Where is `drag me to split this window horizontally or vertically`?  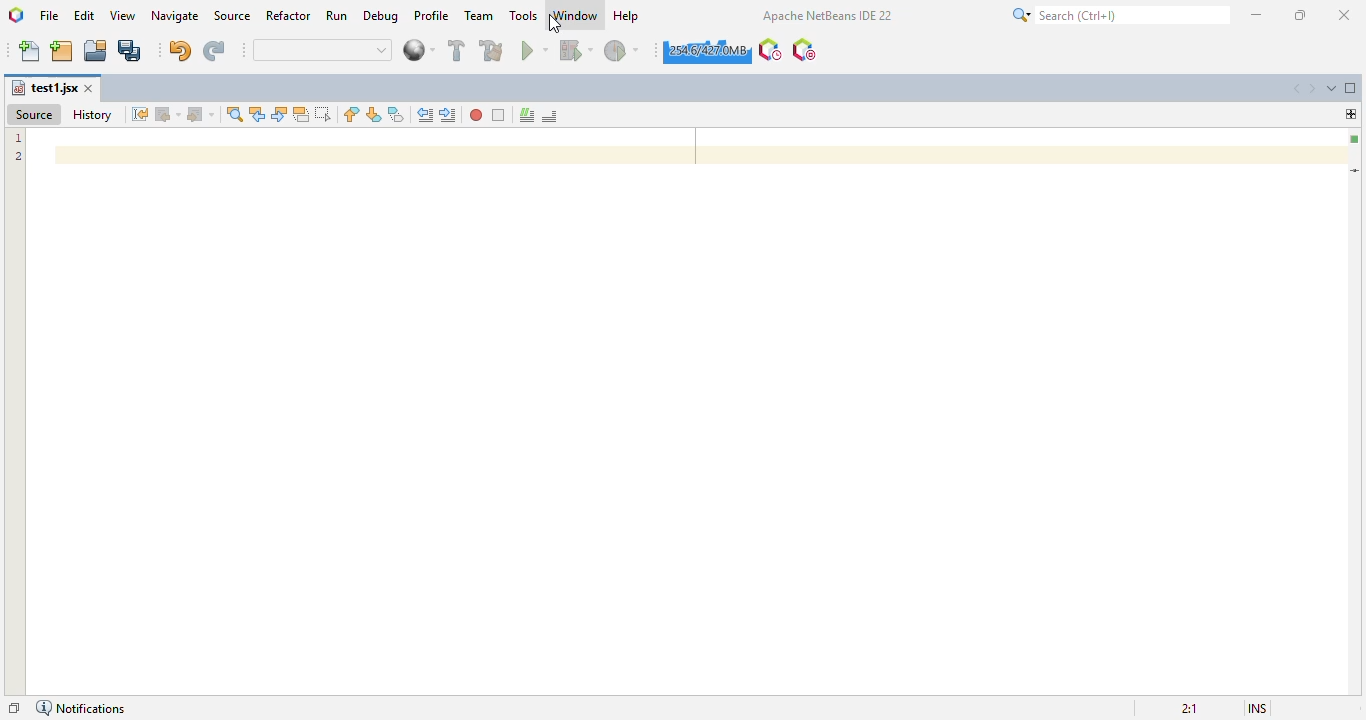 drag me to split this window horizontally or vertically is located at coordinates (1351, 113).